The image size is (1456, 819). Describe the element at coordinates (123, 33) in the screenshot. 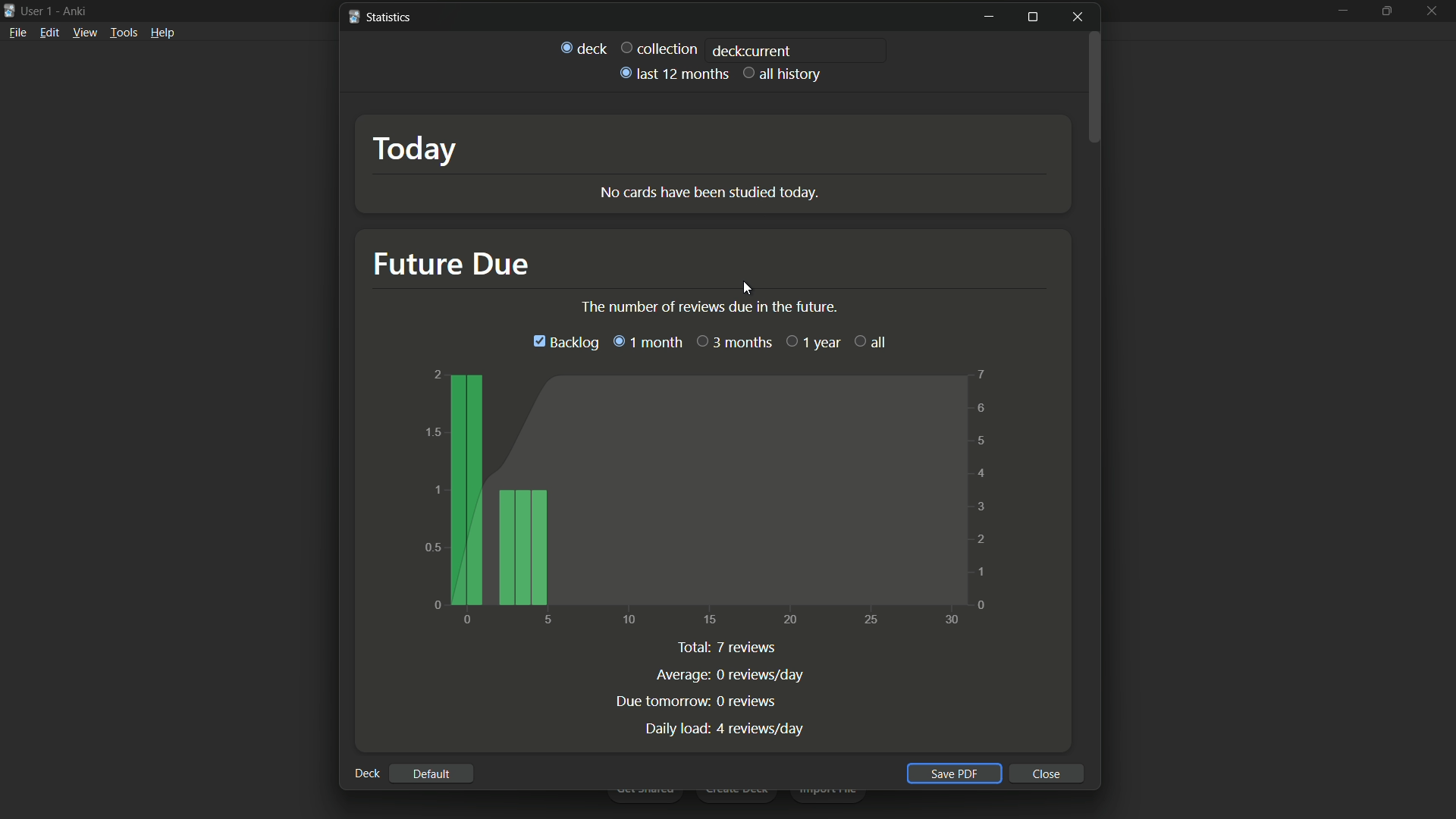

I see `tools menu` at that location.